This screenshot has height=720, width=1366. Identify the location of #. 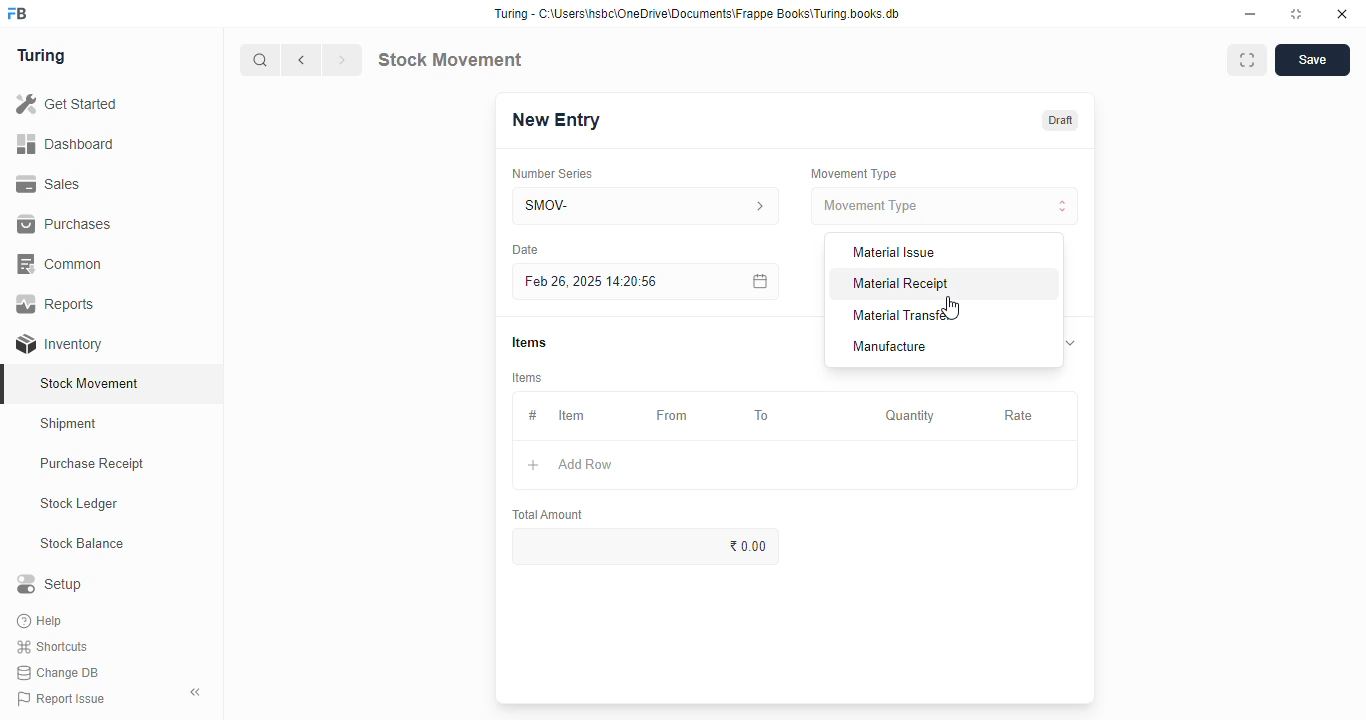
(533, 416).